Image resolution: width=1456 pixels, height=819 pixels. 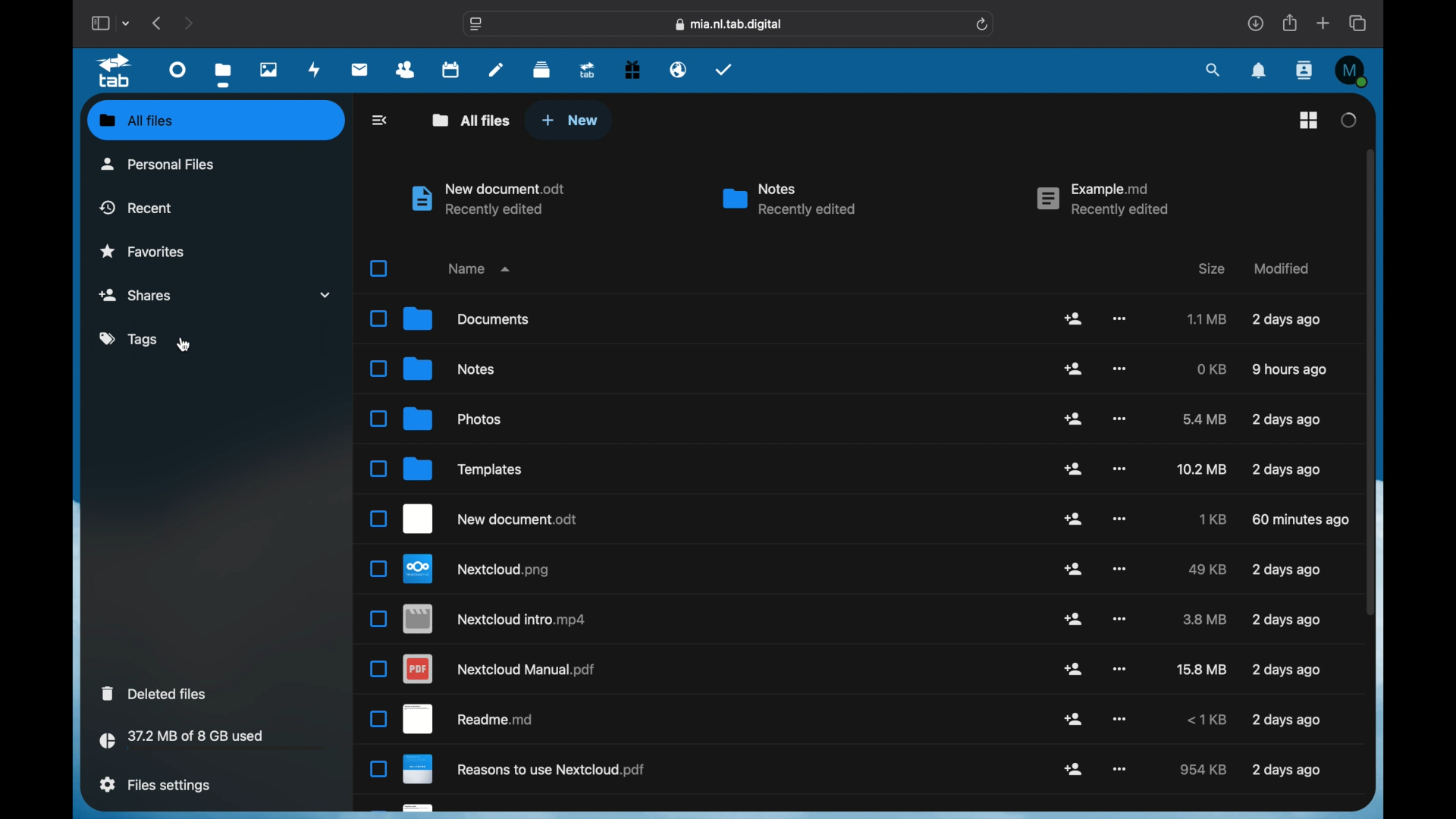 What do you see at coordinates (724, 69) in the screenshot?
I see `tasks` at bounding box center [724, 69].